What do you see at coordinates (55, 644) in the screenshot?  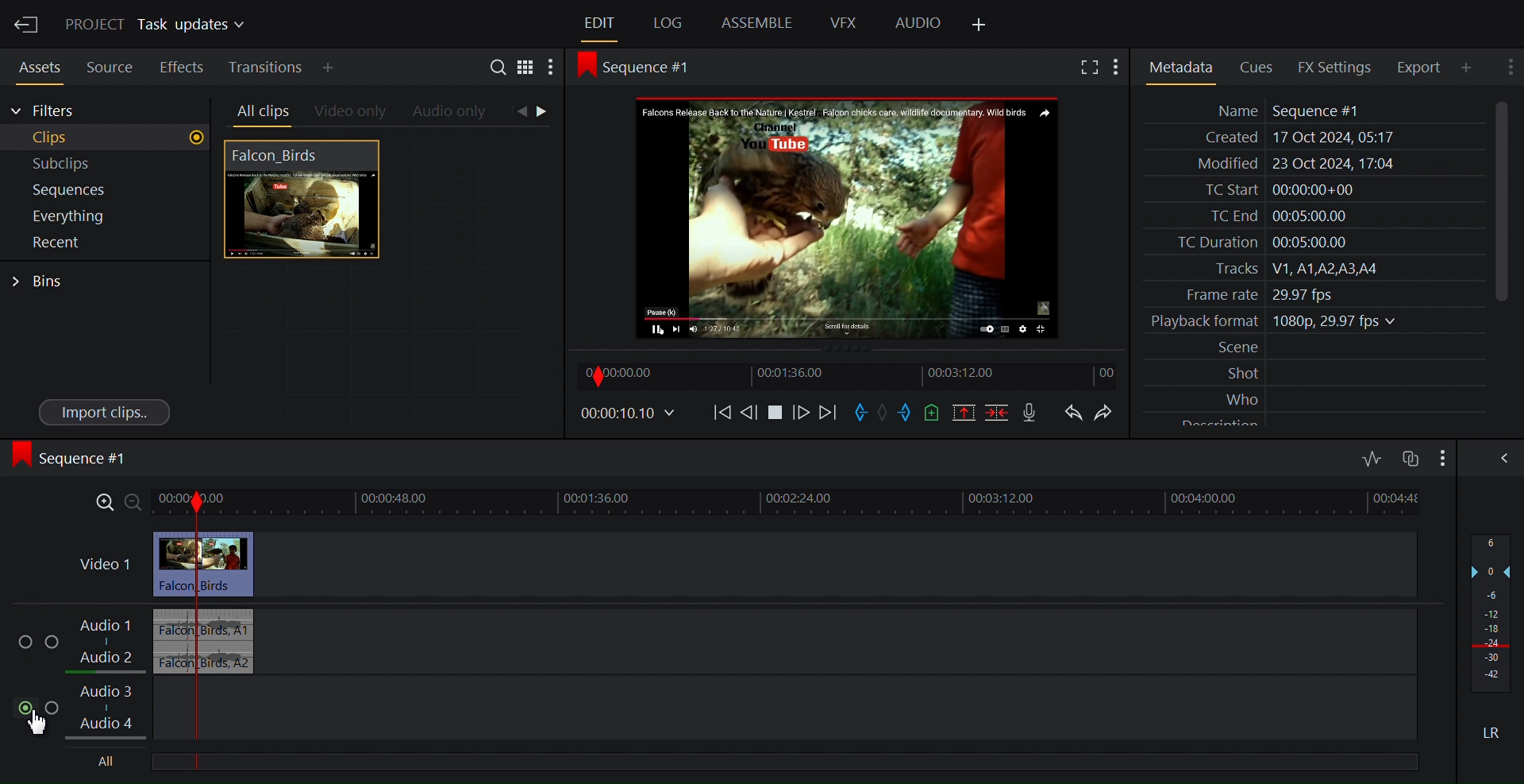 I see `Solo thistrack` at bounding box center [55, 644].